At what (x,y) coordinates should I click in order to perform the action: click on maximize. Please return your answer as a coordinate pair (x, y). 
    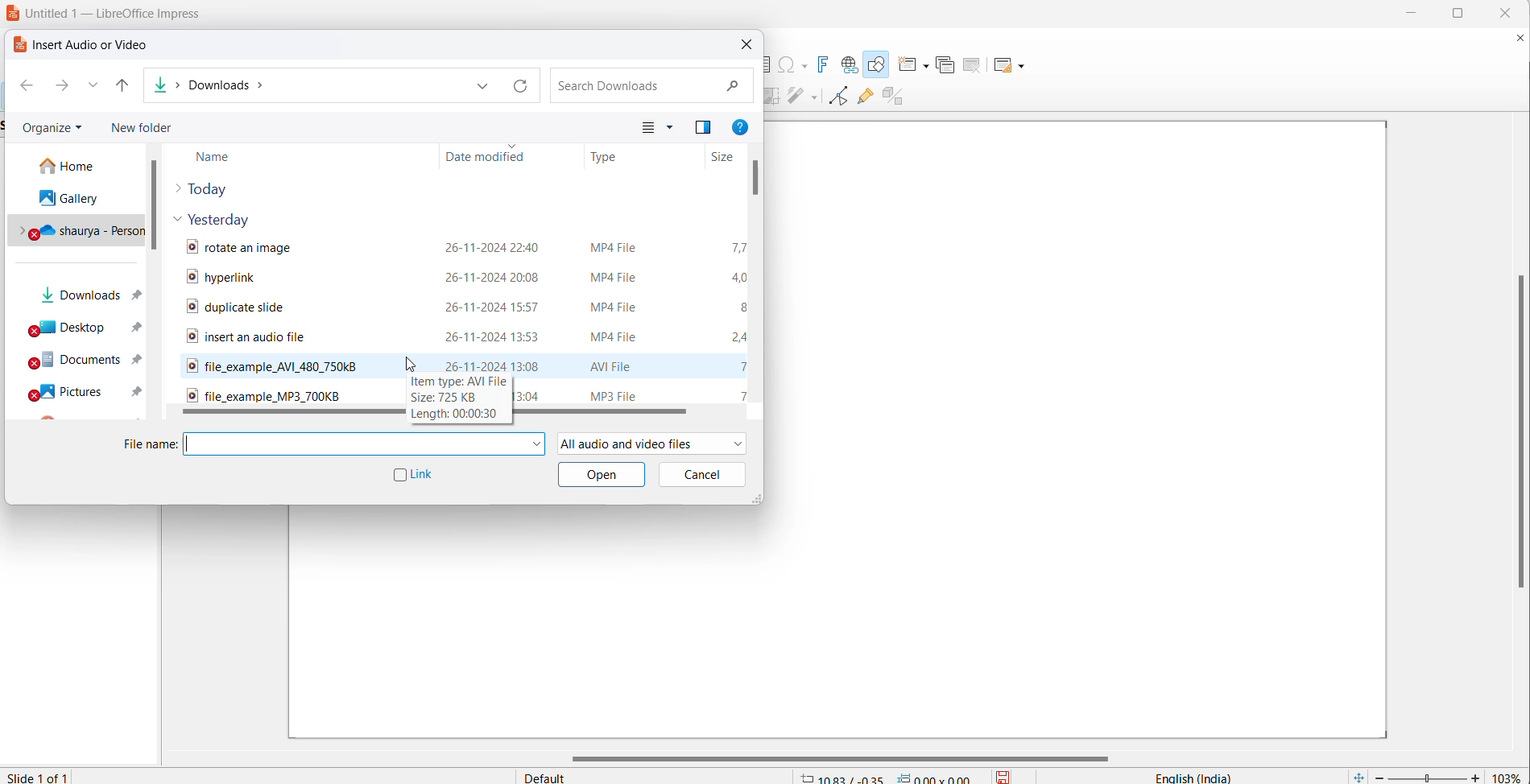
    Looking at the image, I should click on (1461, 15).